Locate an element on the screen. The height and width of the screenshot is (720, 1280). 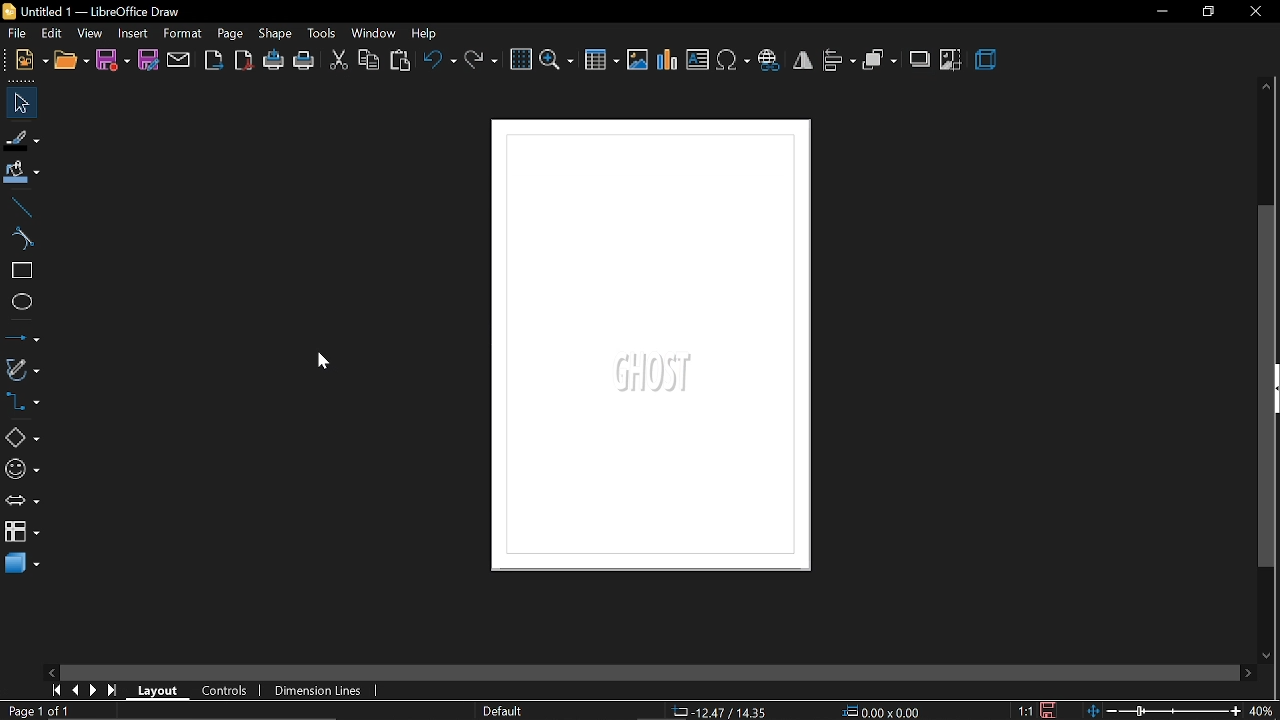
Il Untitled 1 — LibreOffice Draw is located at coordinates (108, 13).